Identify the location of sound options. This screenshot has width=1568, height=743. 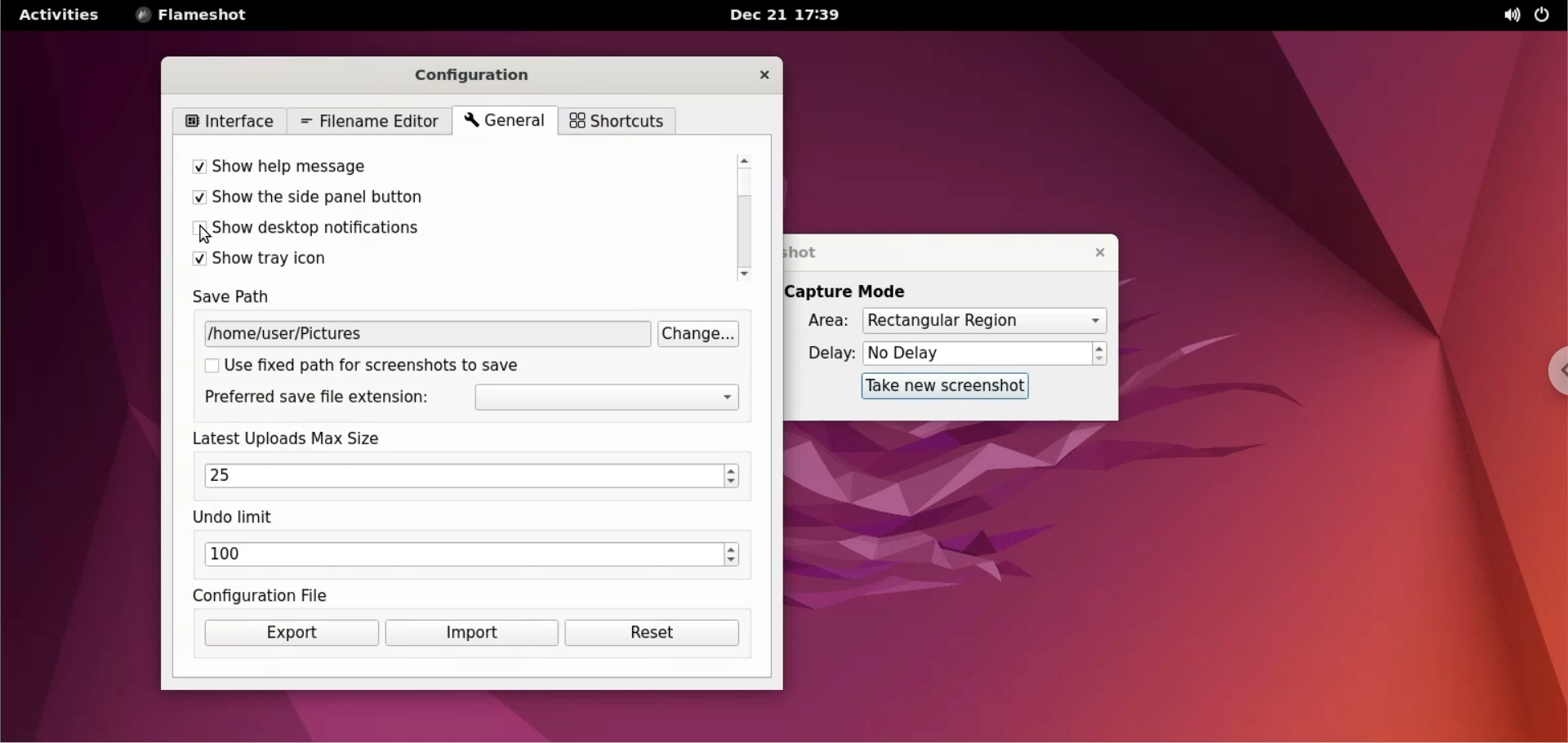
(1505, 15).